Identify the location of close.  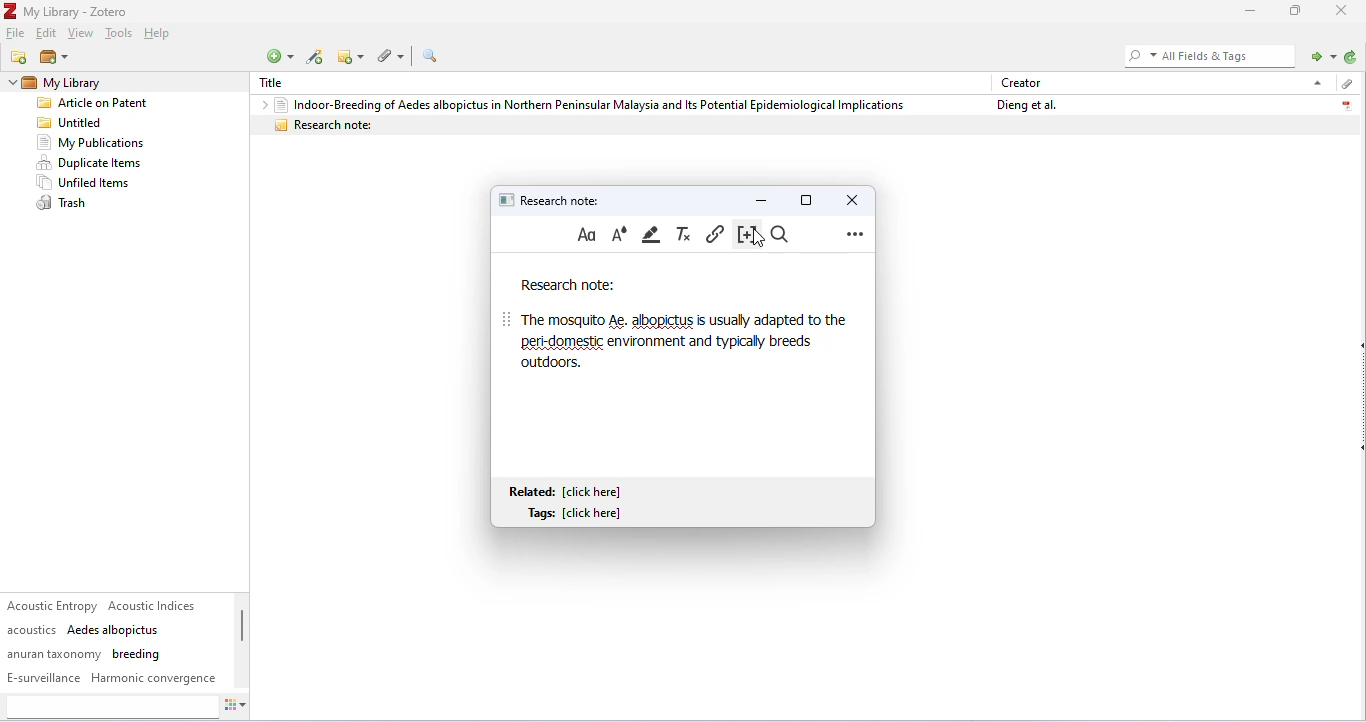
(849, 199).